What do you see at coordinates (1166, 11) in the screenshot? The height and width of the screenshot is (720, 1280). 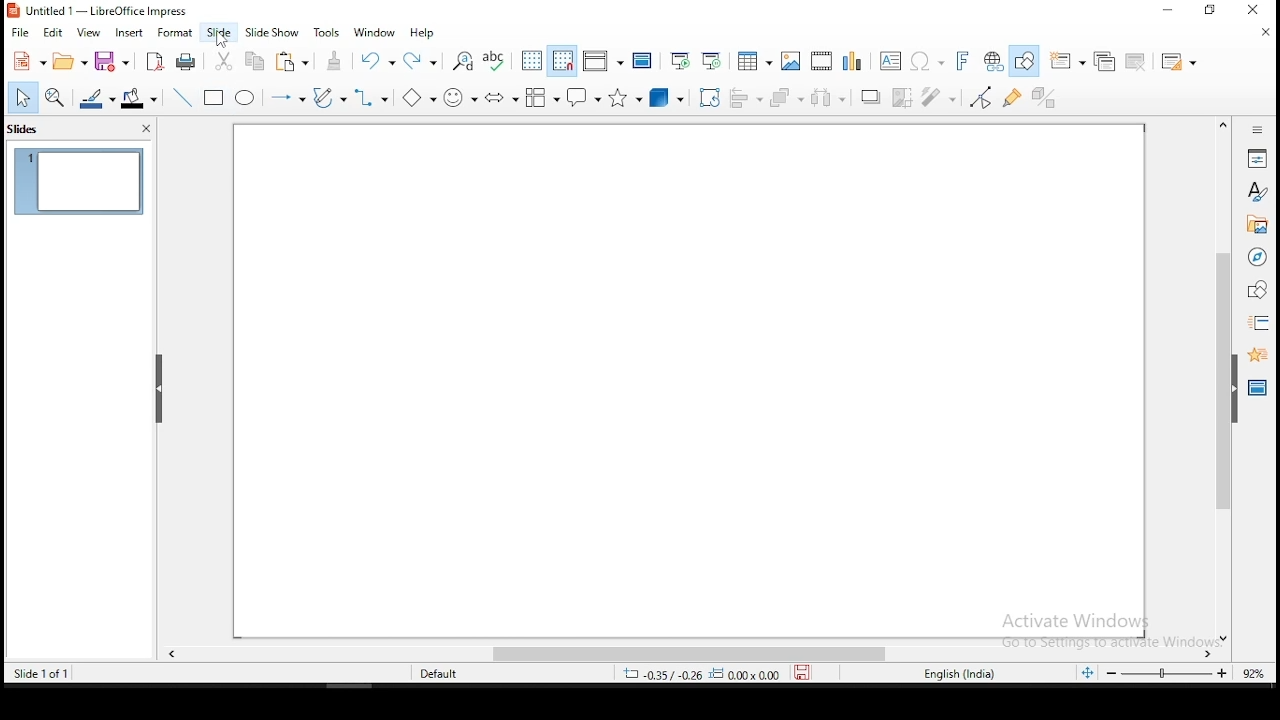 I see `minimize` at bounding box center [1166, 11].